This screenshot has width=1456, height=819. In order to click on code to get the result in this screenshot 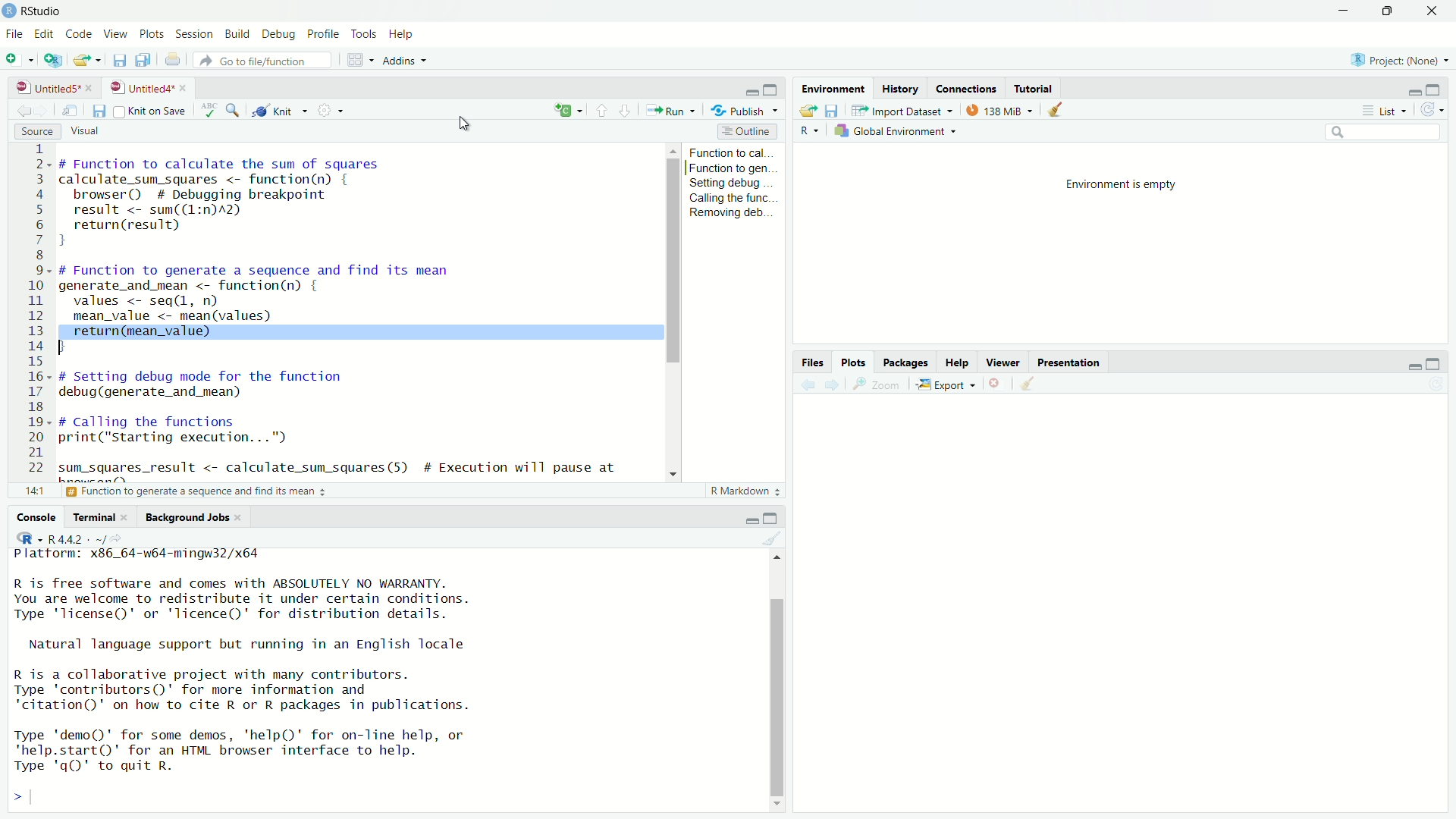, I will do `click(347, 468)`.